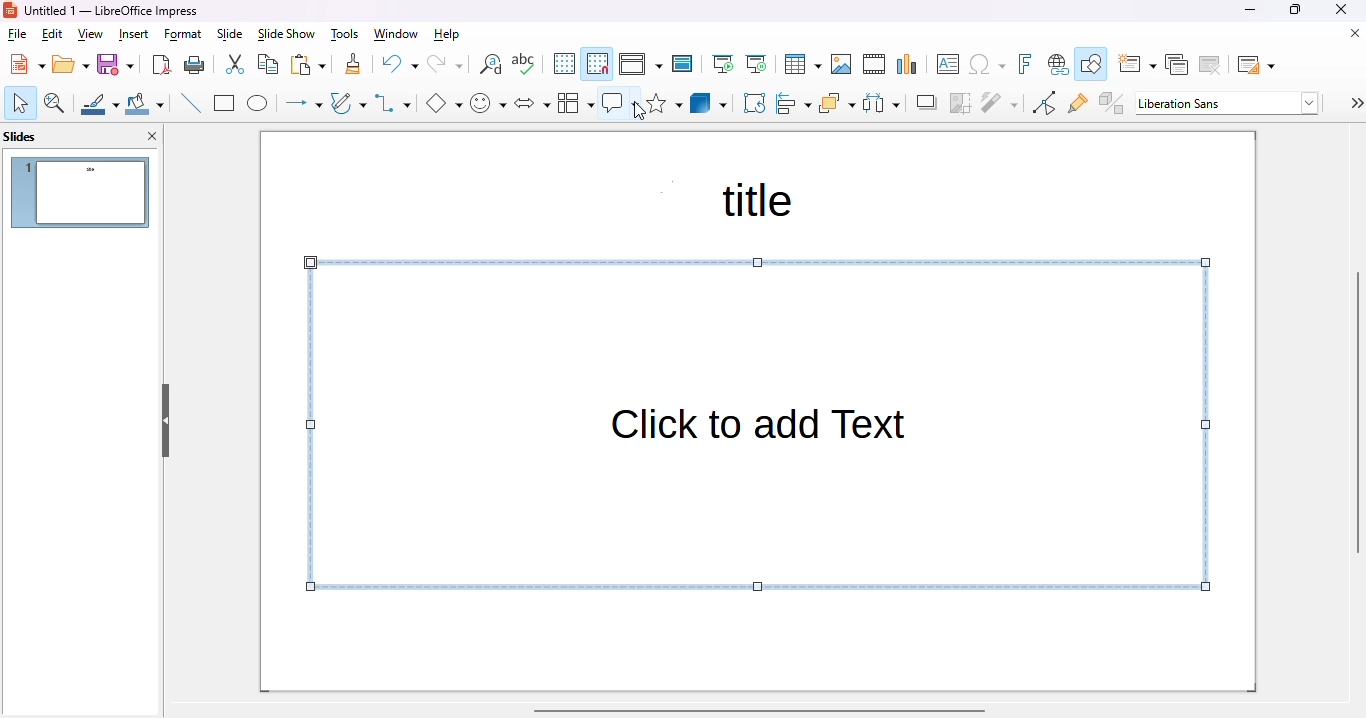  Describe the element at coordinates (287, 34) in the screenshot. I see `slide show` at that location.